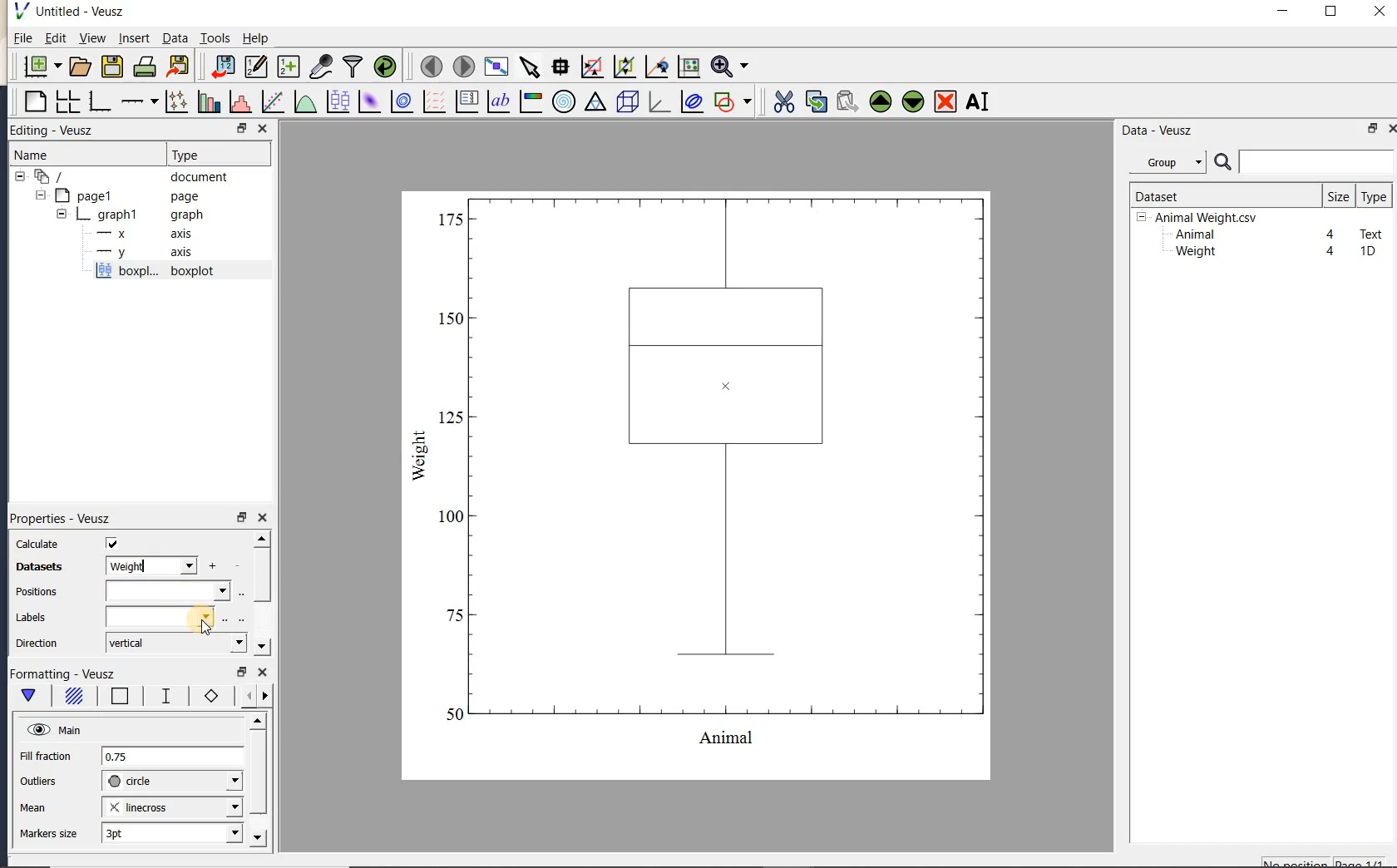  I want to click on datasets, so click(35, 568).